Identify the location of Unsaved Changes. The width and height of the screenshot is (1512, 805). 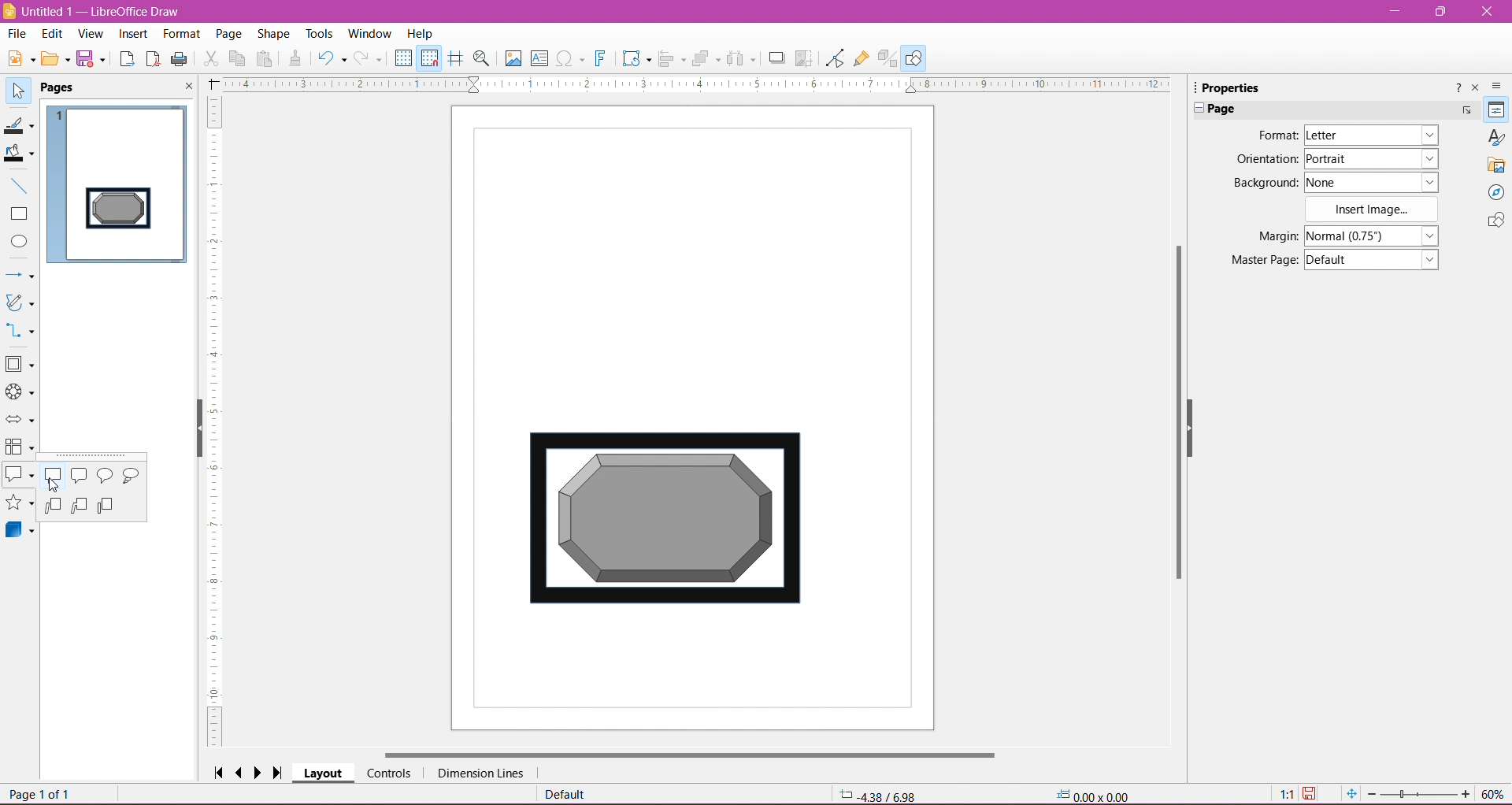
(1313, 794).